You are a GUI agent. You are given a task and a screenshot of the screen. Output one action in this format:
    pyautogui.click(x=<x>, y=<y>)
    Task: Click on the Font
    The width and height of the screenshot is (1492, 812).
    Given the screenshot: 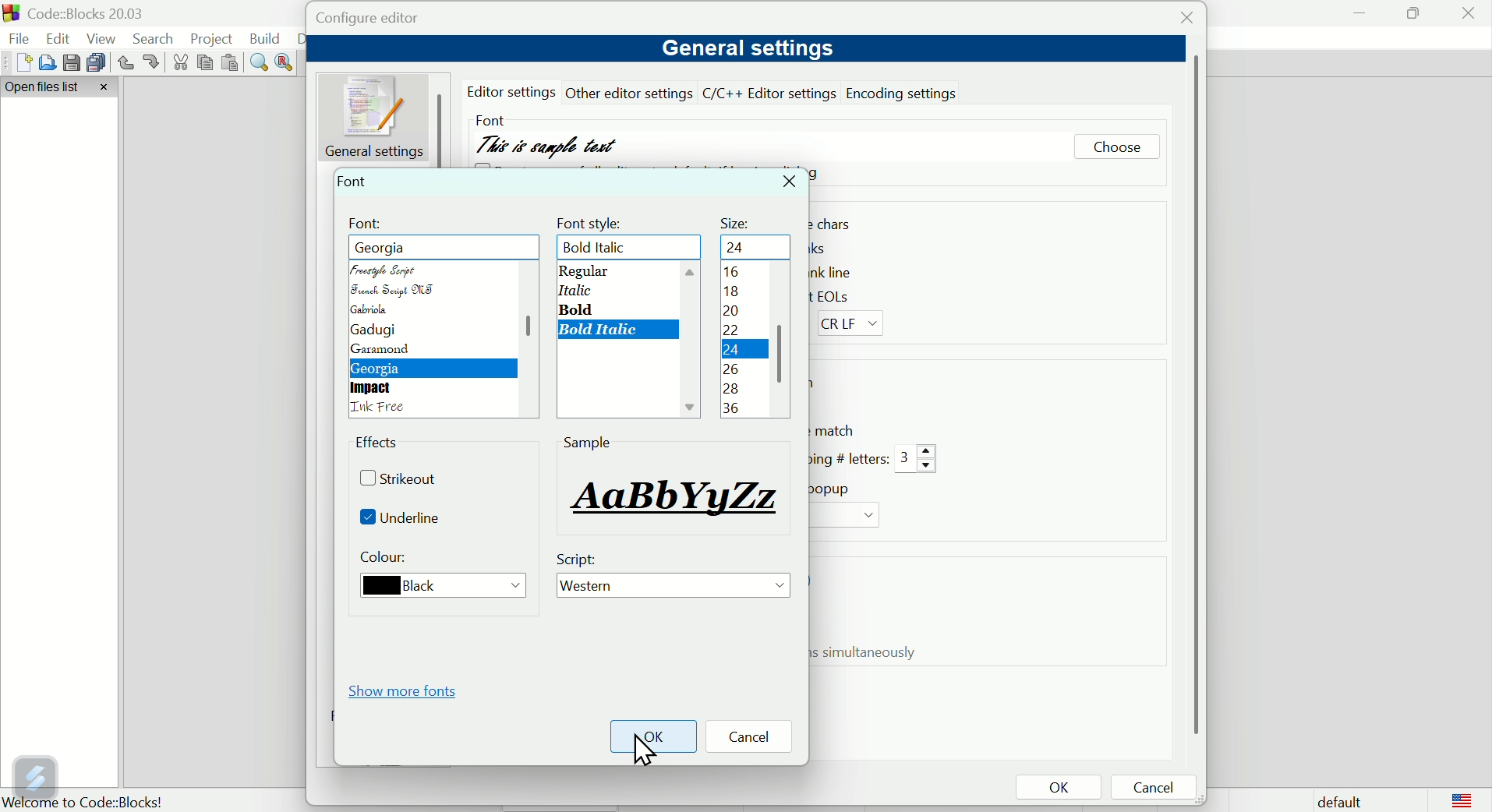 What is the action you would take?
    pyautogui.click(x=355, y=180)
    